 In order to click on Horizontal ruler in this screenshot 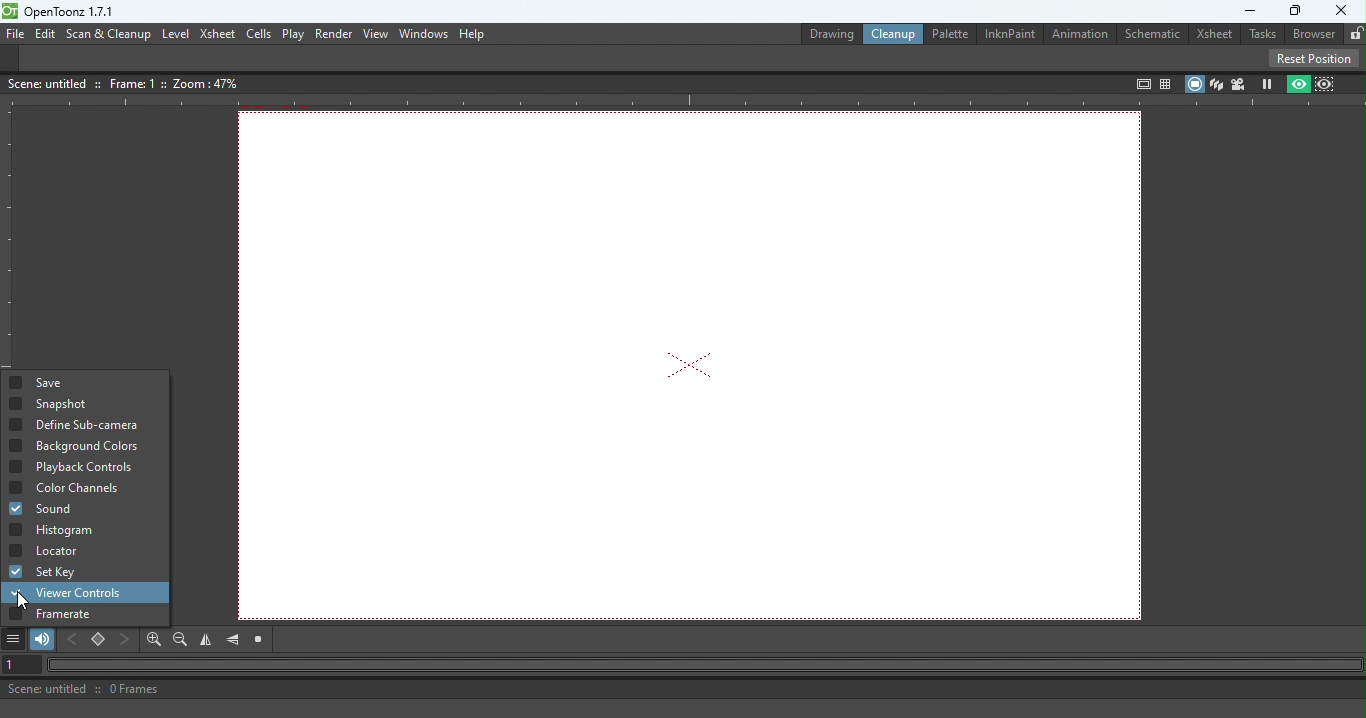, I will do `click(683, 101)`.